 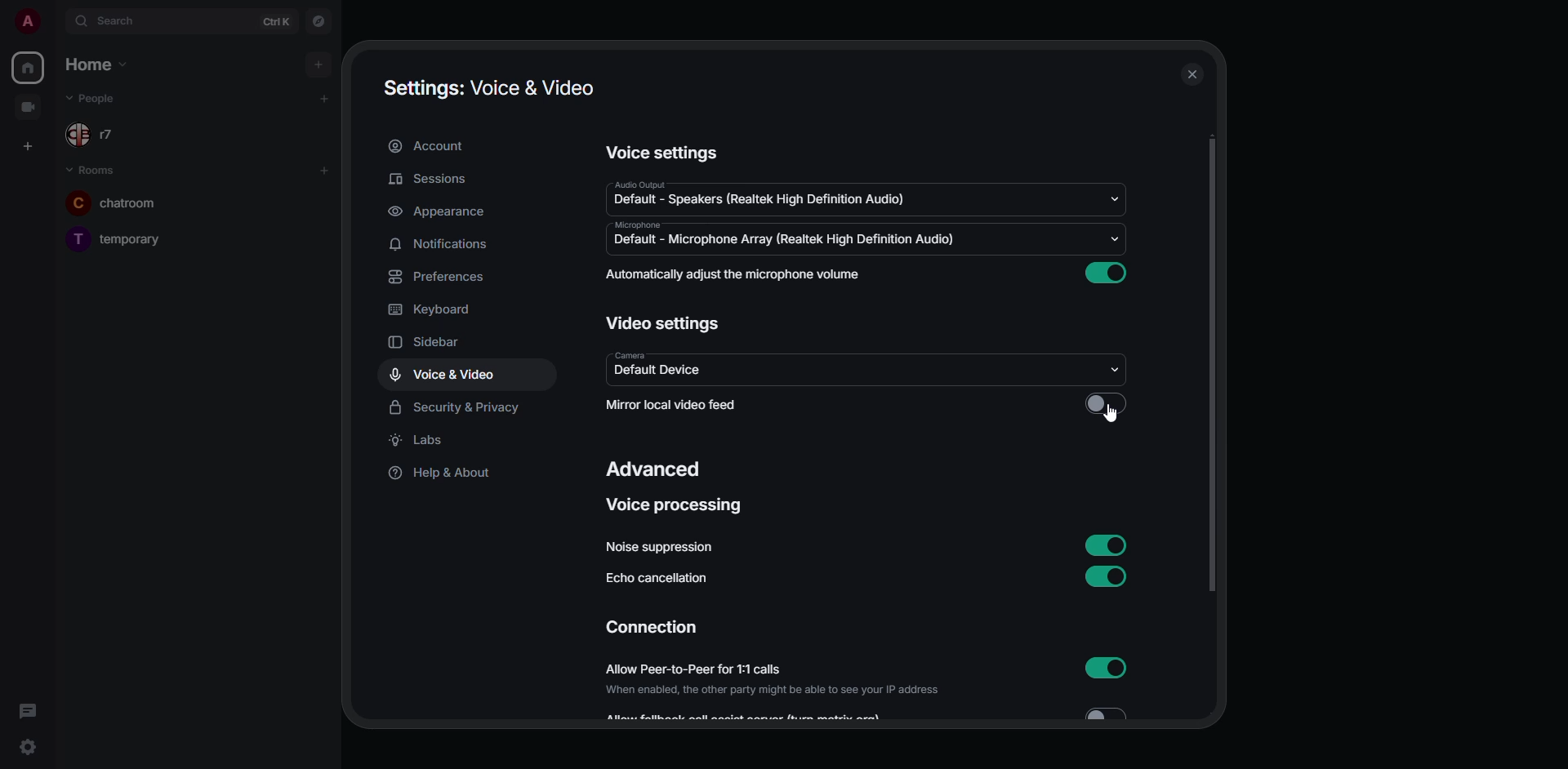 What do you see at coordinates (437, 279) in the screenshot?
I see `preferences` at bounding box center [437, 279].